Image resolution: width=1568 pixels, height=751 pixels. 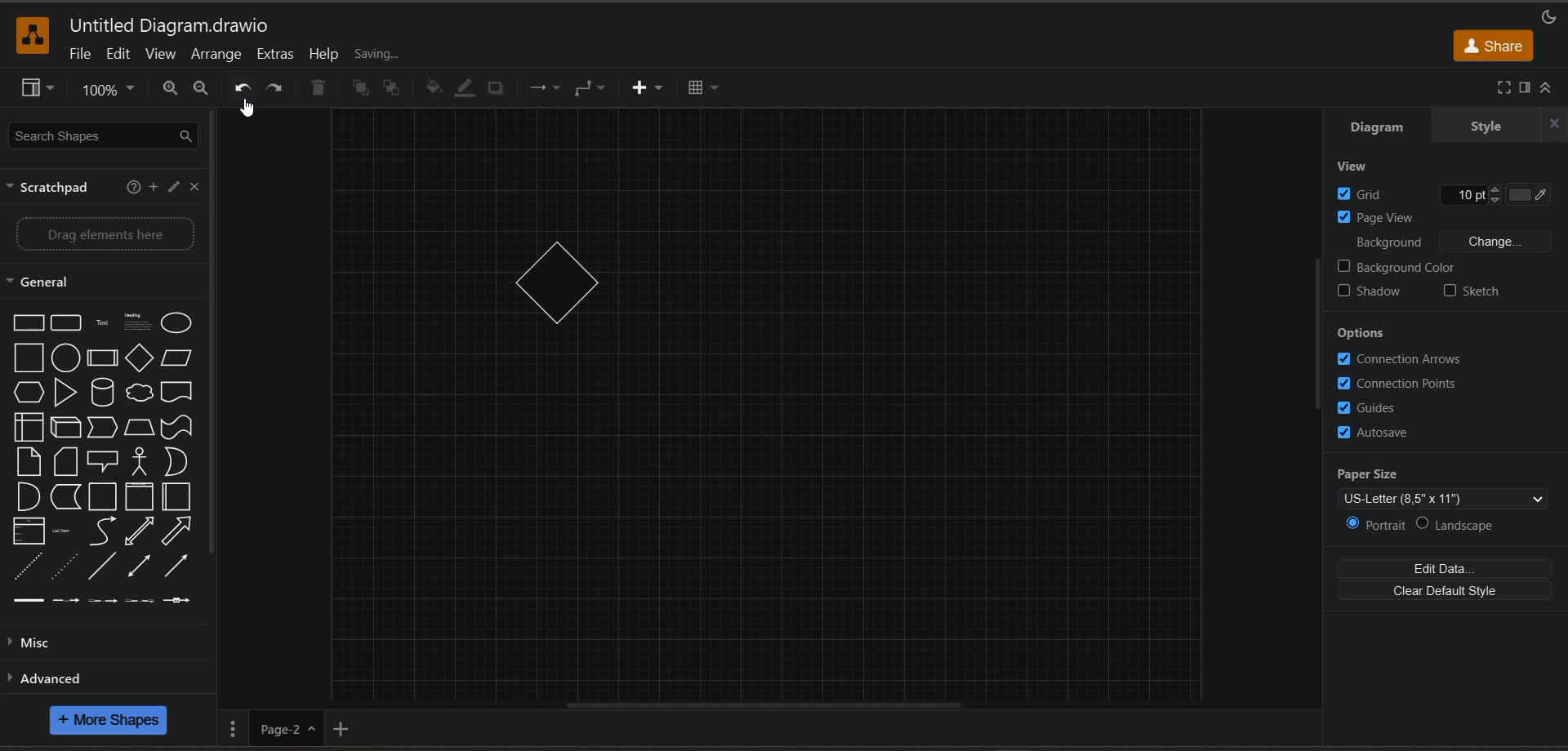 I want to click on Bidirectional Connector, so click(x=141, y=569).